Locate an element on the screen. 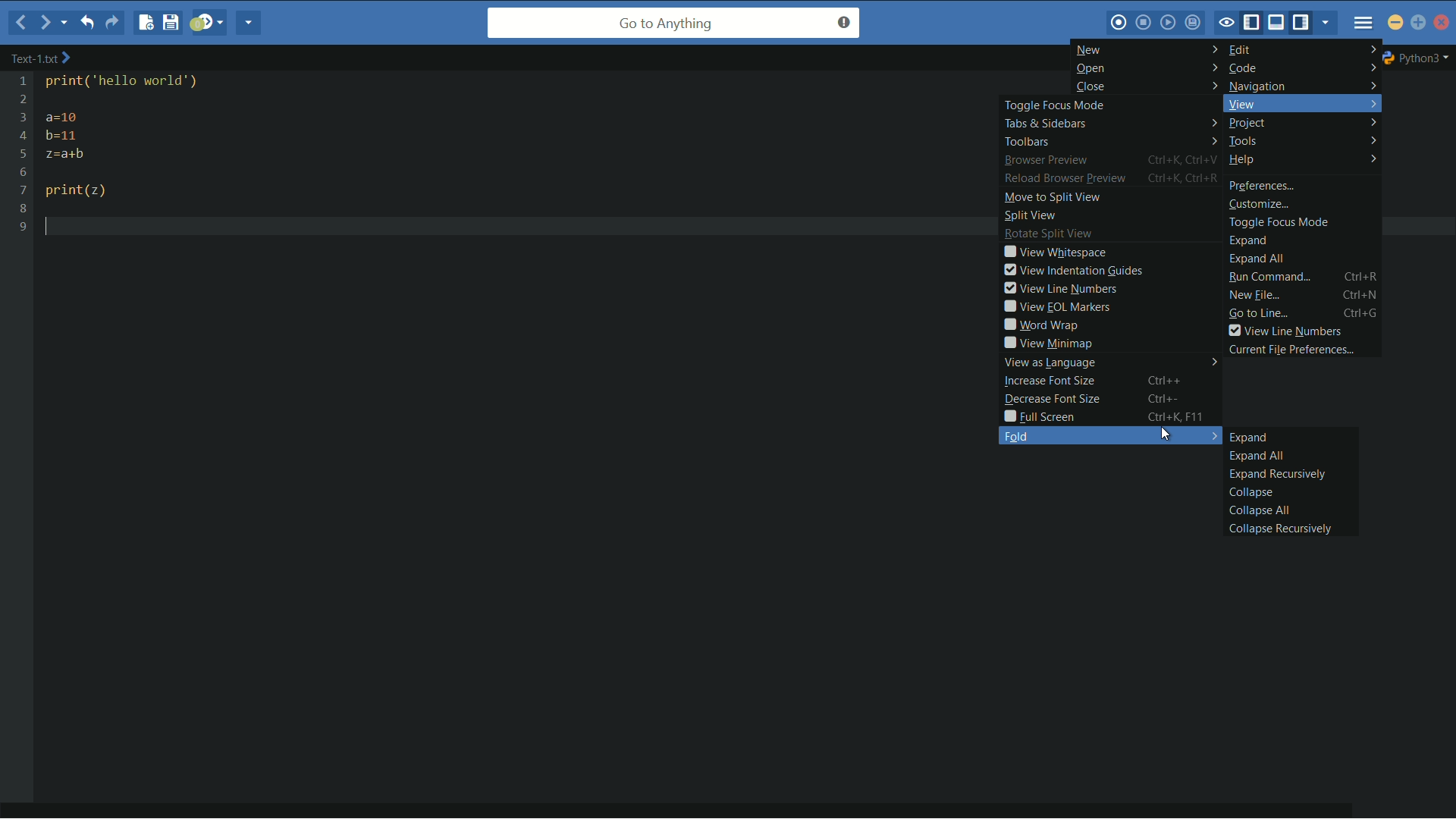  run command is located at coordinates (1270, 278).